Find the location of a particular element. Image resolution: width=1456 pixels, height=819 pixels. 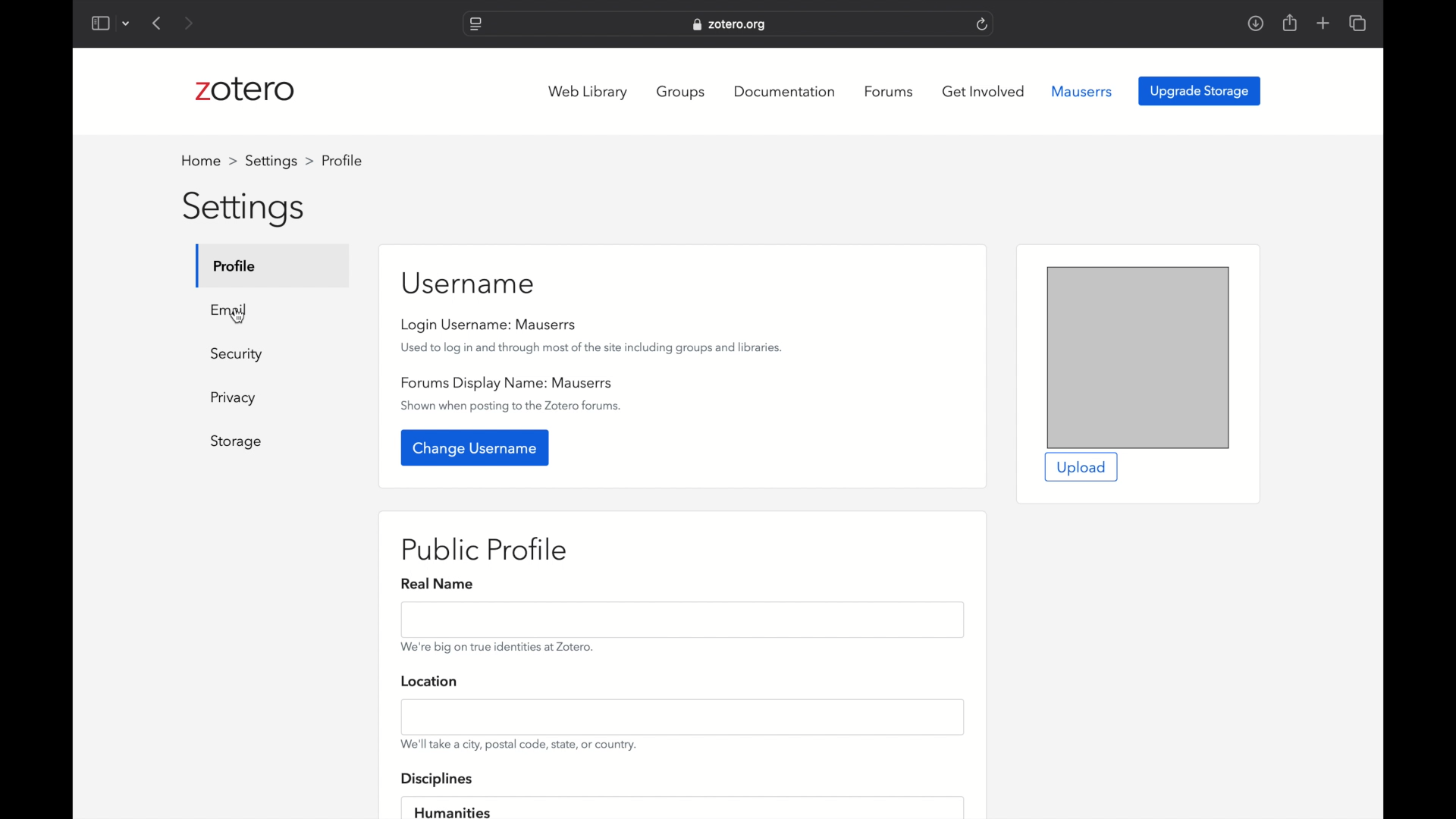

shown when posting to the zotero forums is located at coordinates (513, 406).